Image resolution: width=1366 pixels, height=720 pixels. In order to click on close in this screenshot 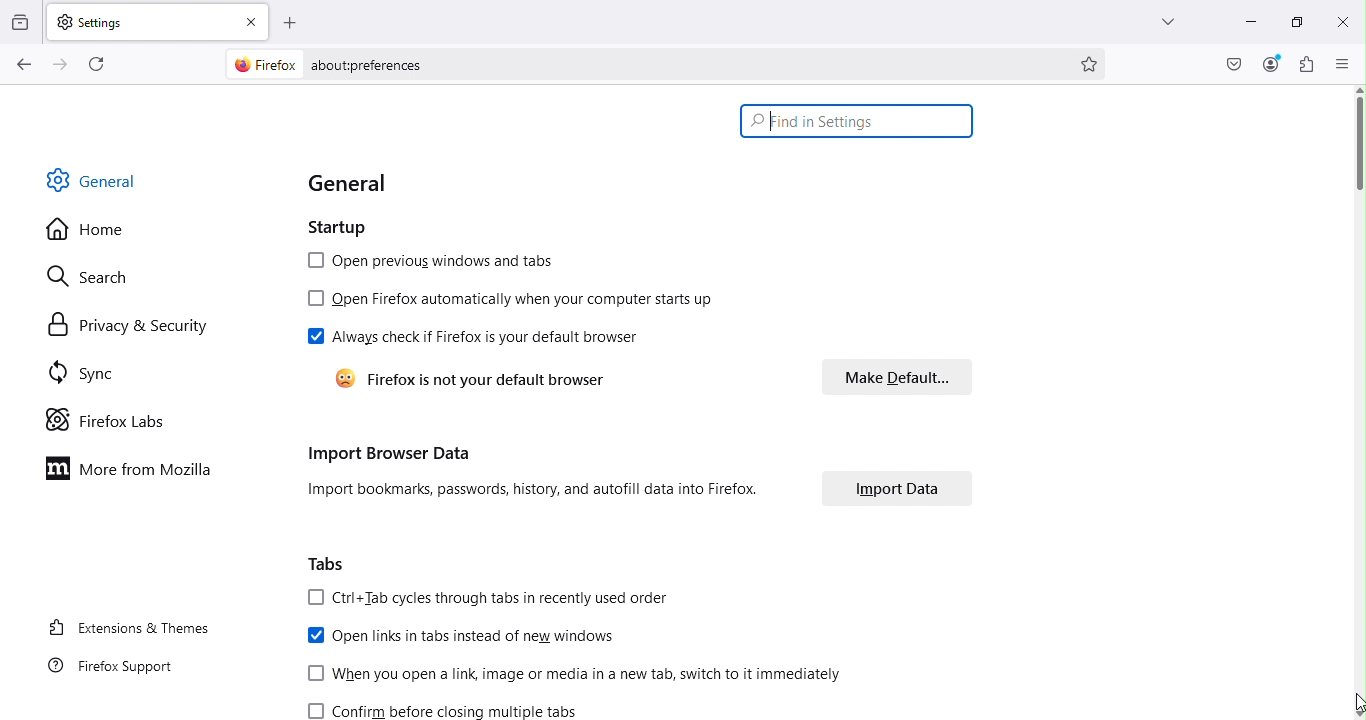, I will do `click(1339, 20)`.